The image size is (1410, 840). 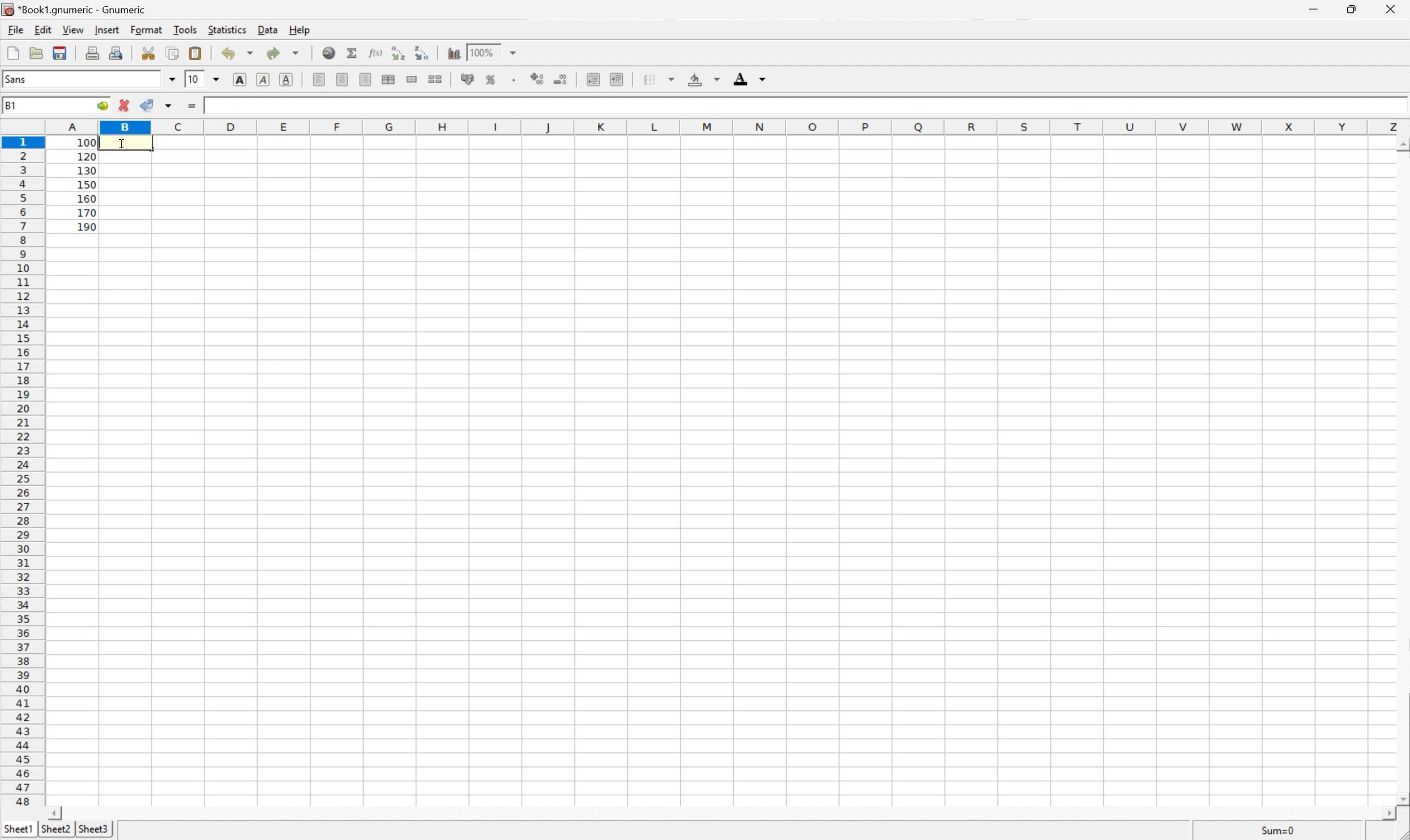 I want to click on Open a file, so click(x=37, y=53).